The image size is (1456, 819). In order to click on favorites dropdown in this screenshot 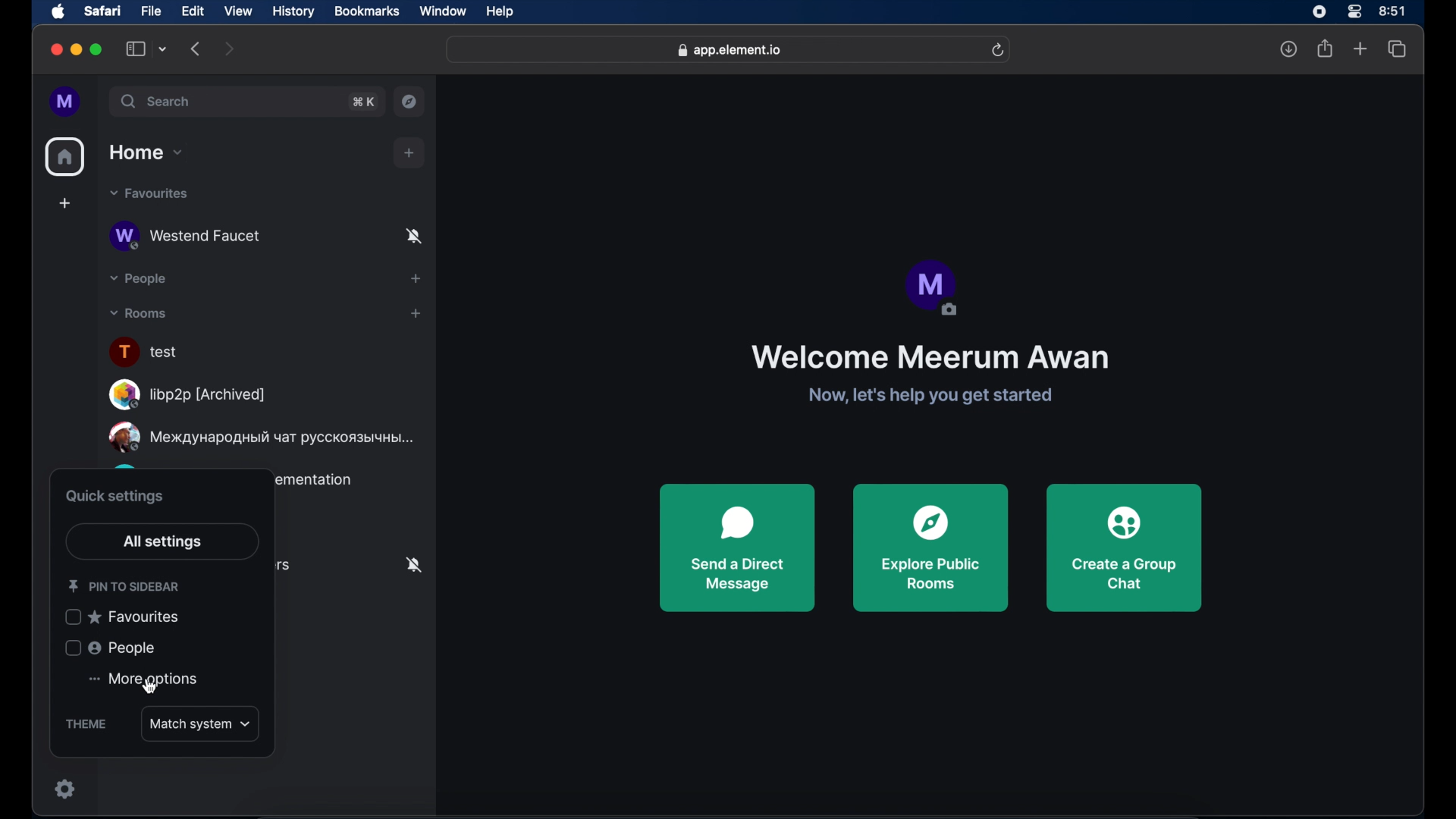, I will do `click(149, 194)`.